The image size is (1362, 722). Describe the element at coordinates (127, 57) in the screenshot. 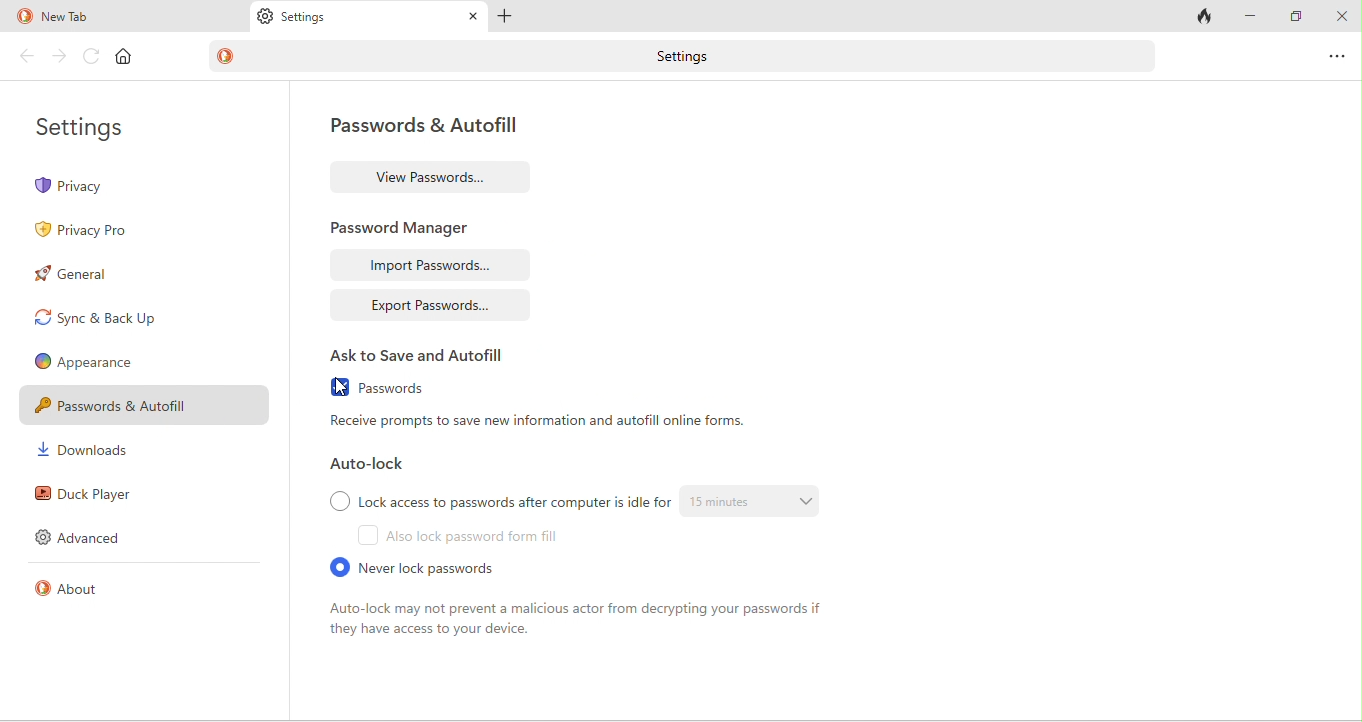

I see `home` at that location.